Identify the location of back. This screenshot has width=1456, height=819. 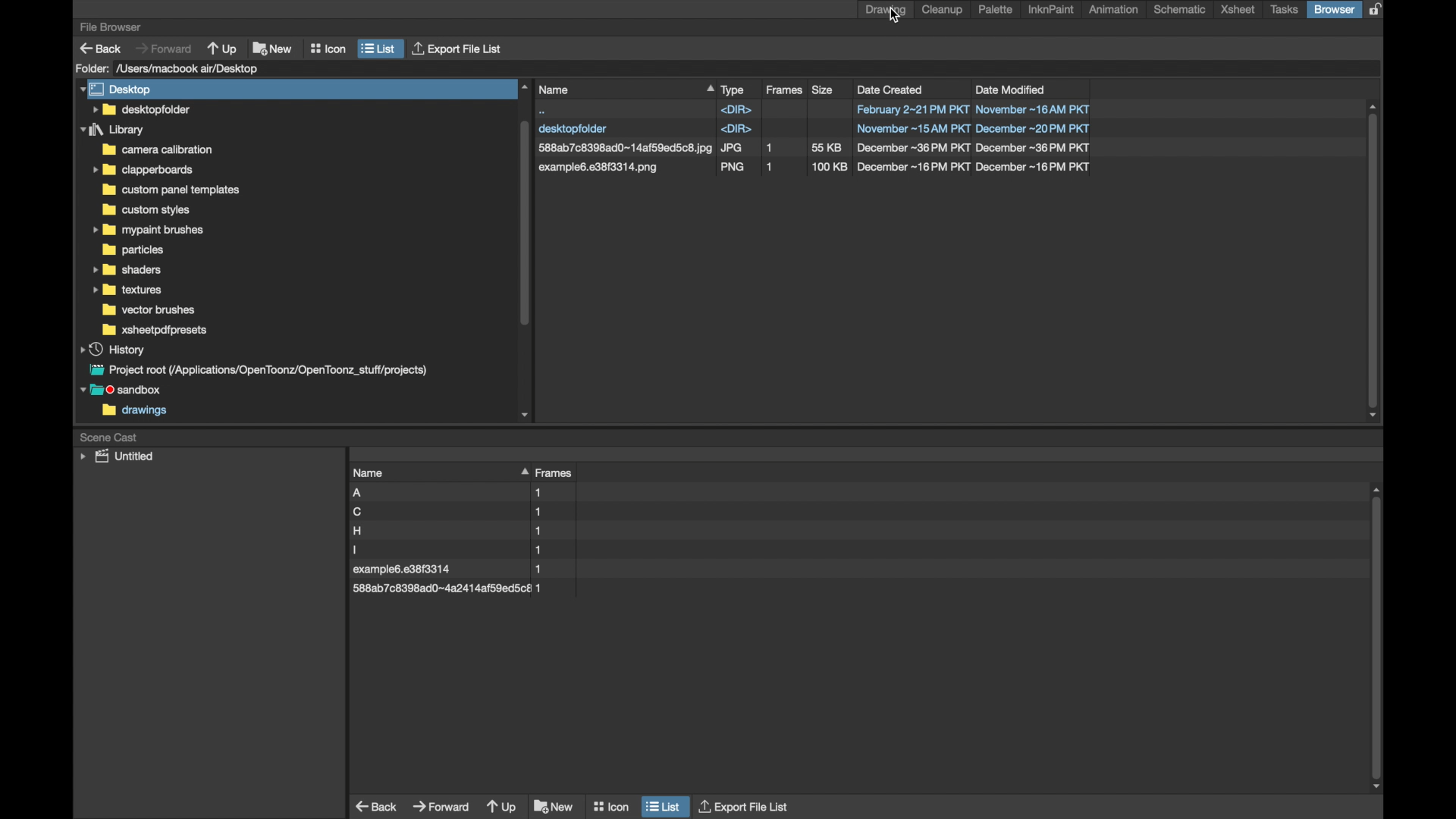
(378, 806).